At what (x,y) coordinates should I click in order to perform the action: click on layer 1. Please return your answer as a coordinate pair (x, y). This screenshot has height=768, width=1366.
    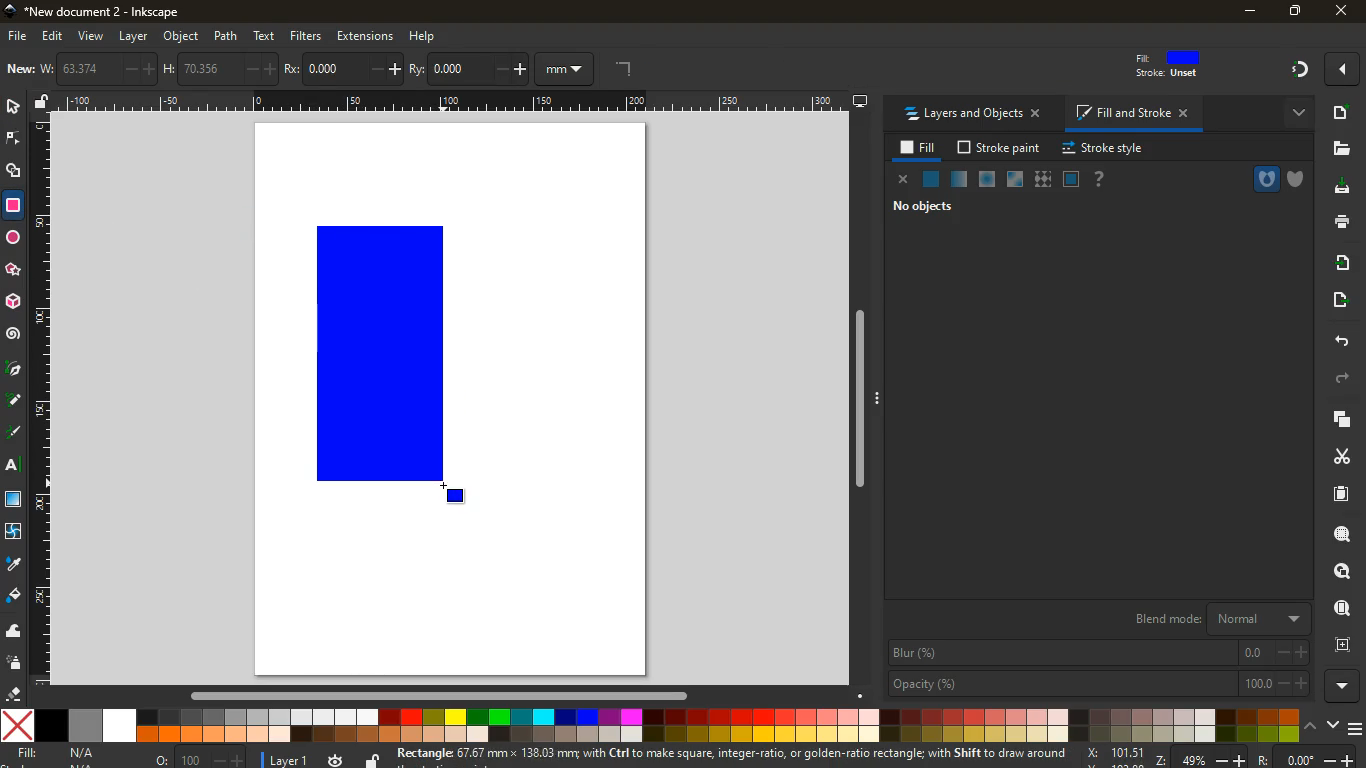
    Looking at the image, I should click on (288, 761).